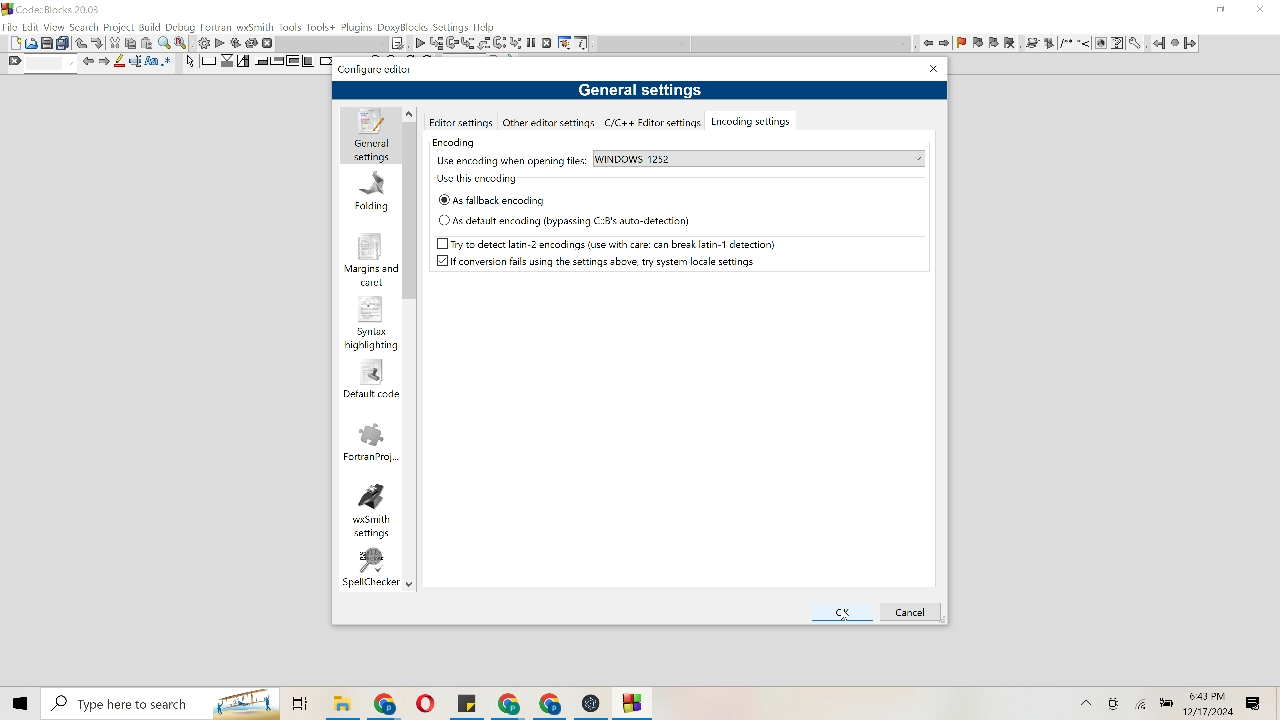 Image resolution: width=1280 pixels, height=720 pixels. I want to click on As fallback encoding, so click(492, 200).